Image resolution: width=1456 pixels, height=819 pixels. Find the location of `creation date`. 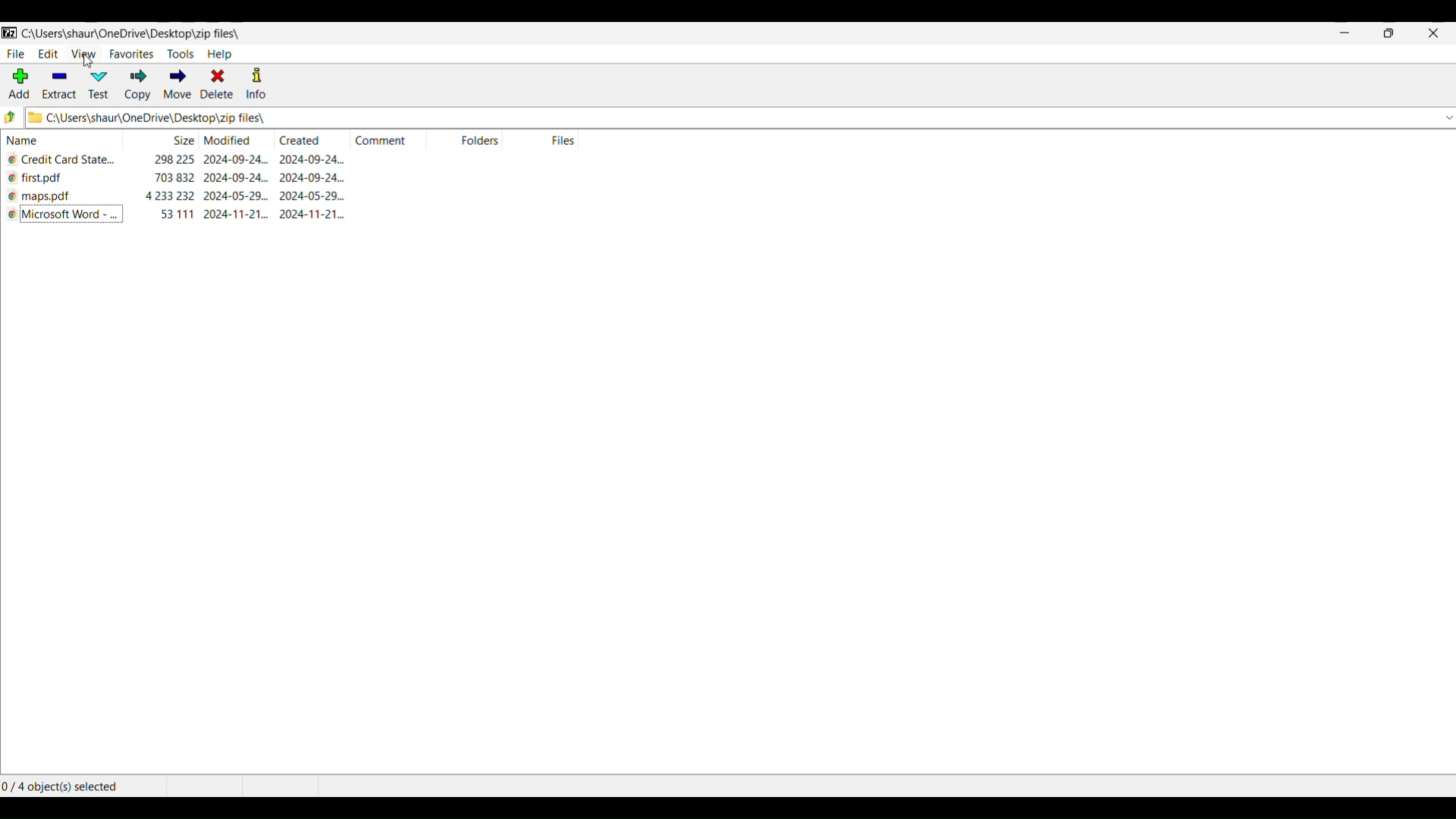

creation date is located at coordinates (311, 159).